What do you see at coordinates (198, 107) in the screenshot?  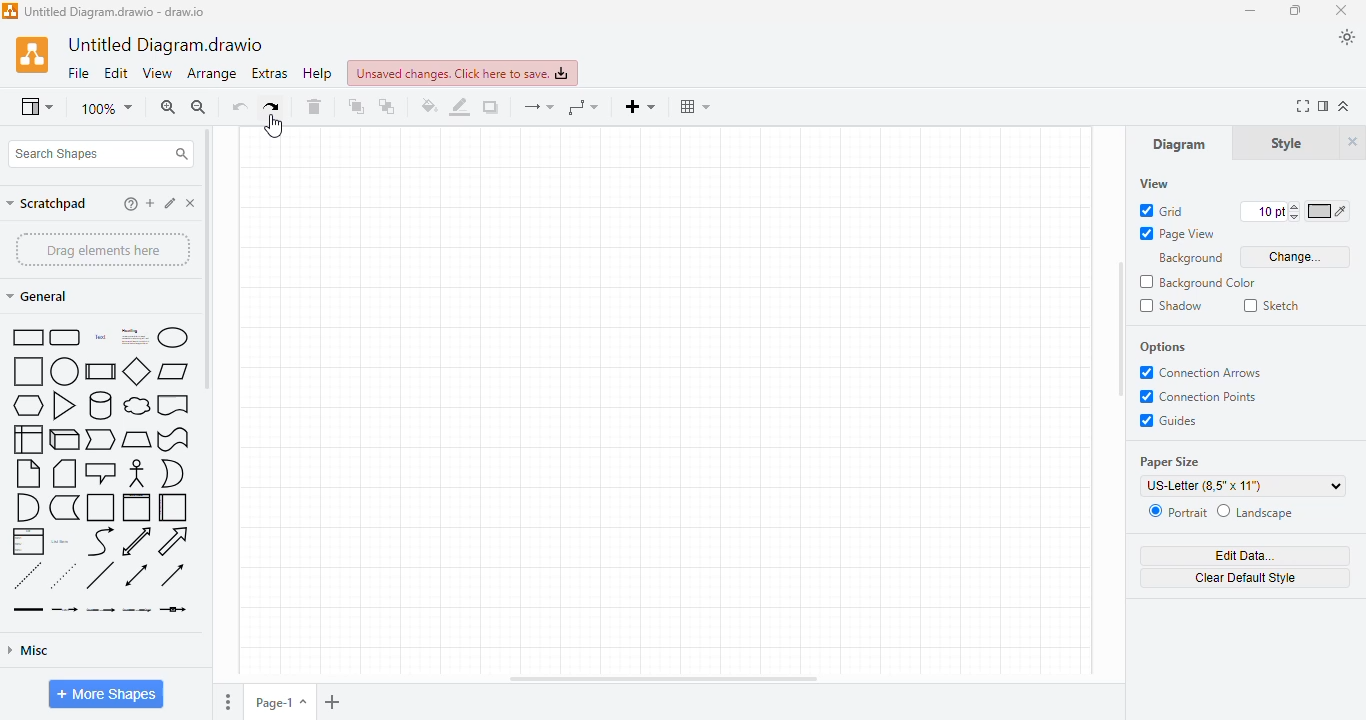 I see `zoom out` at bounding box center [198, 107].